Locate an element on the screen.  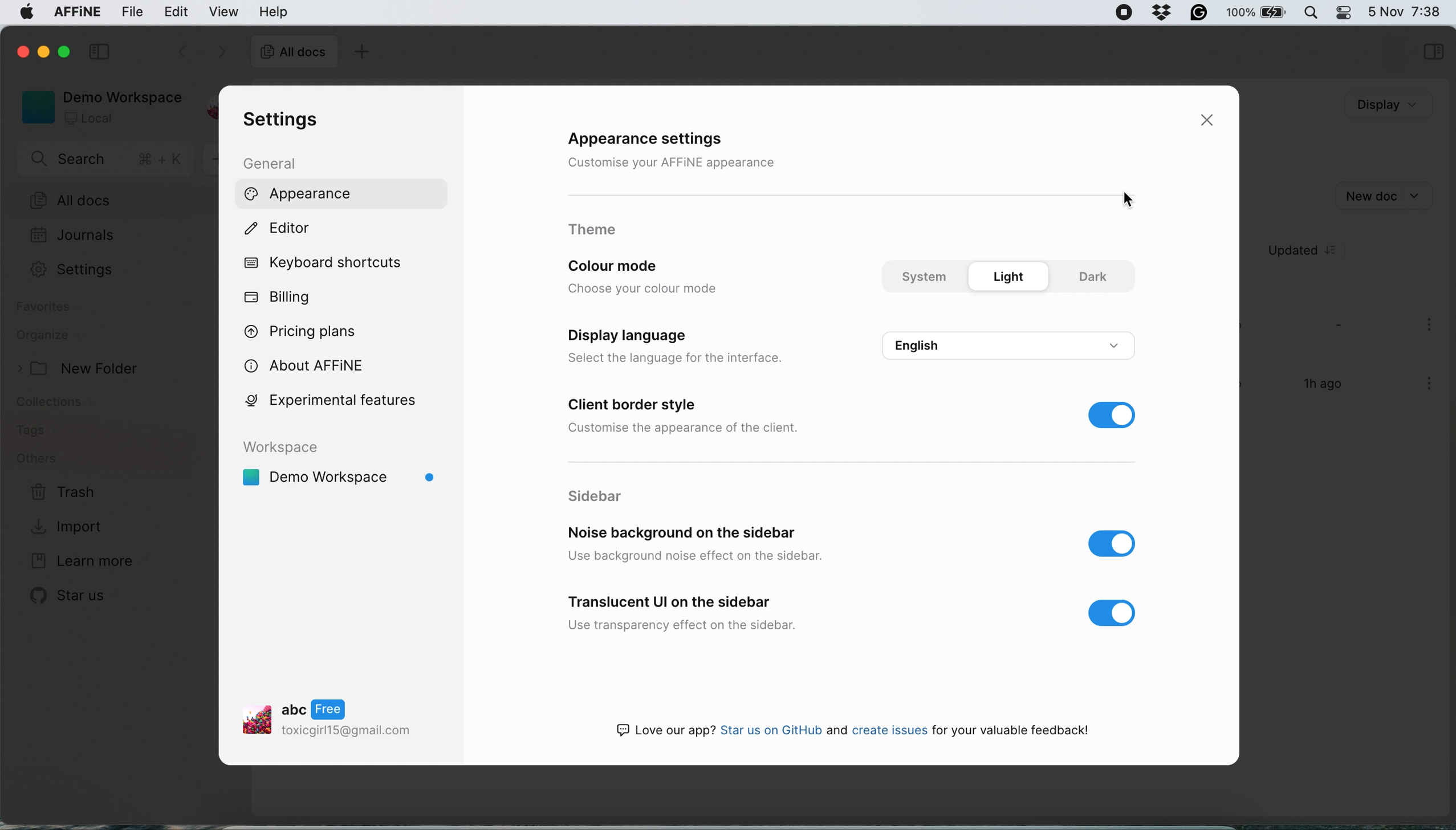
toggle button is located at coordinates (1112, 415).